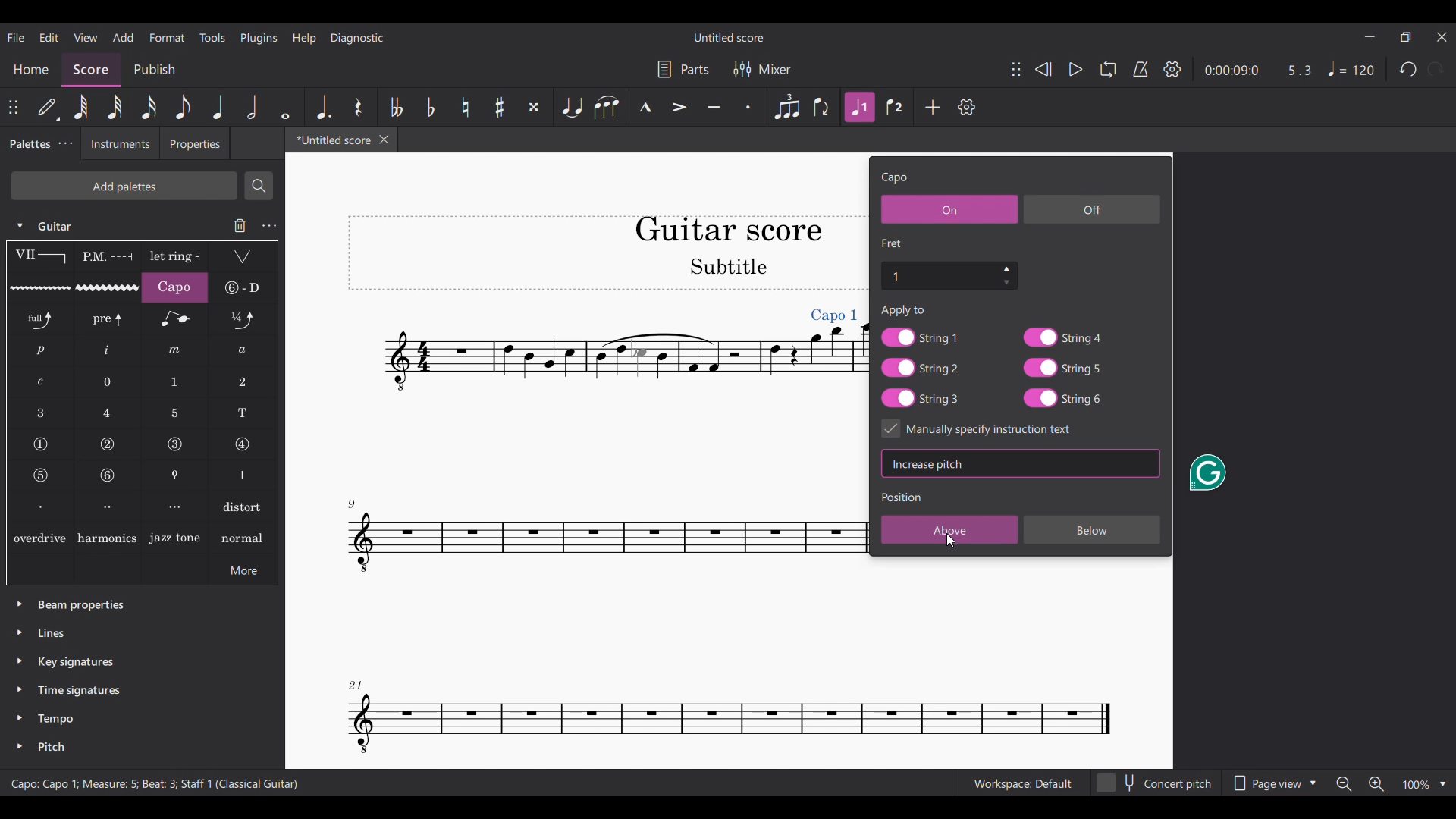 Image resolution: width=1456 pixels, height=819 pixels. What do you see at coordinates (269, 226) in the screenshot?
I see `Guitar settings` at bounding box center [269, 226].